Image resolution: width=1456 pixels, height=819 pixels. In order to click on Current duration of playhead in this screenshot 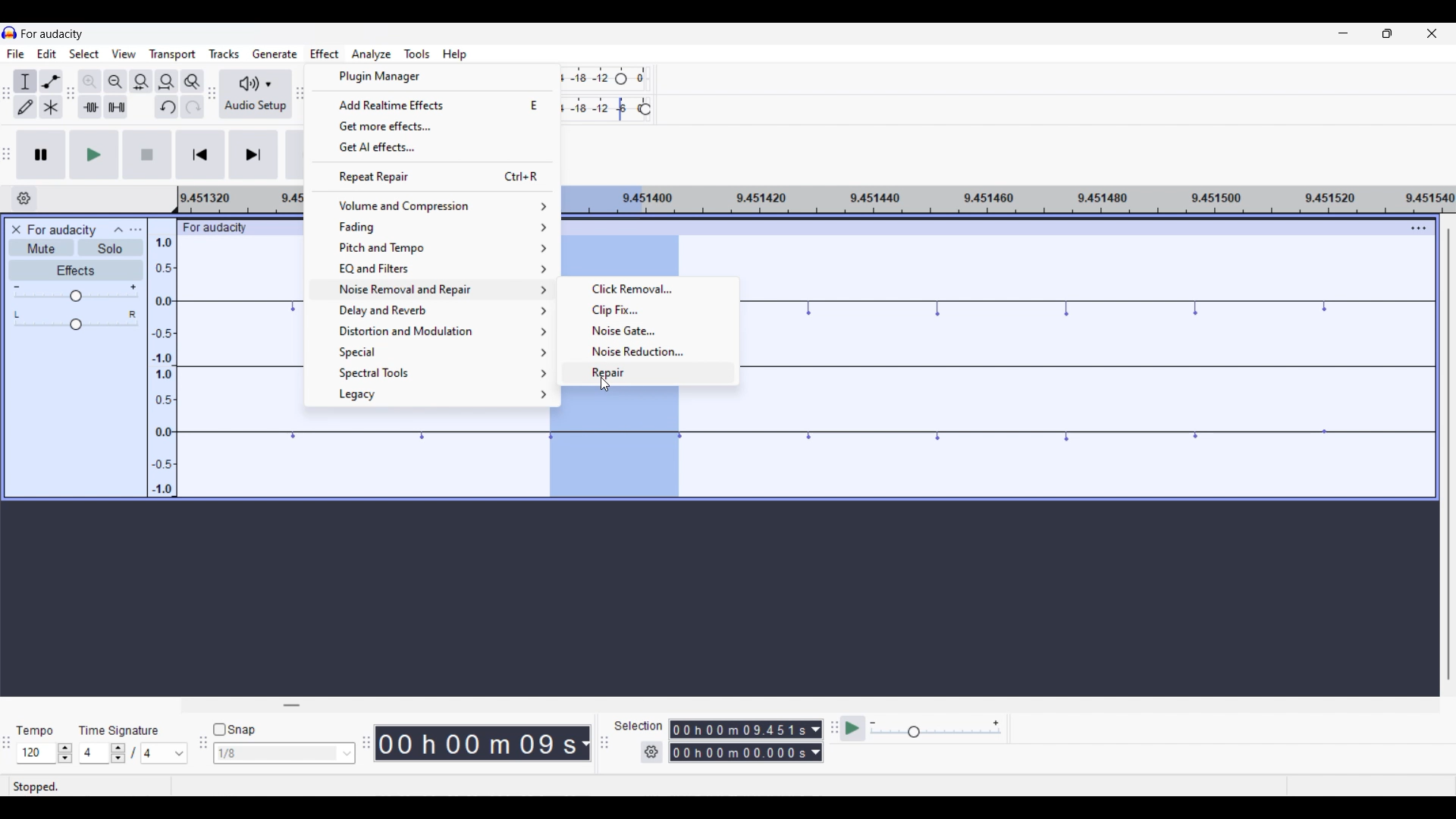, I will do `click(475, 743)`.